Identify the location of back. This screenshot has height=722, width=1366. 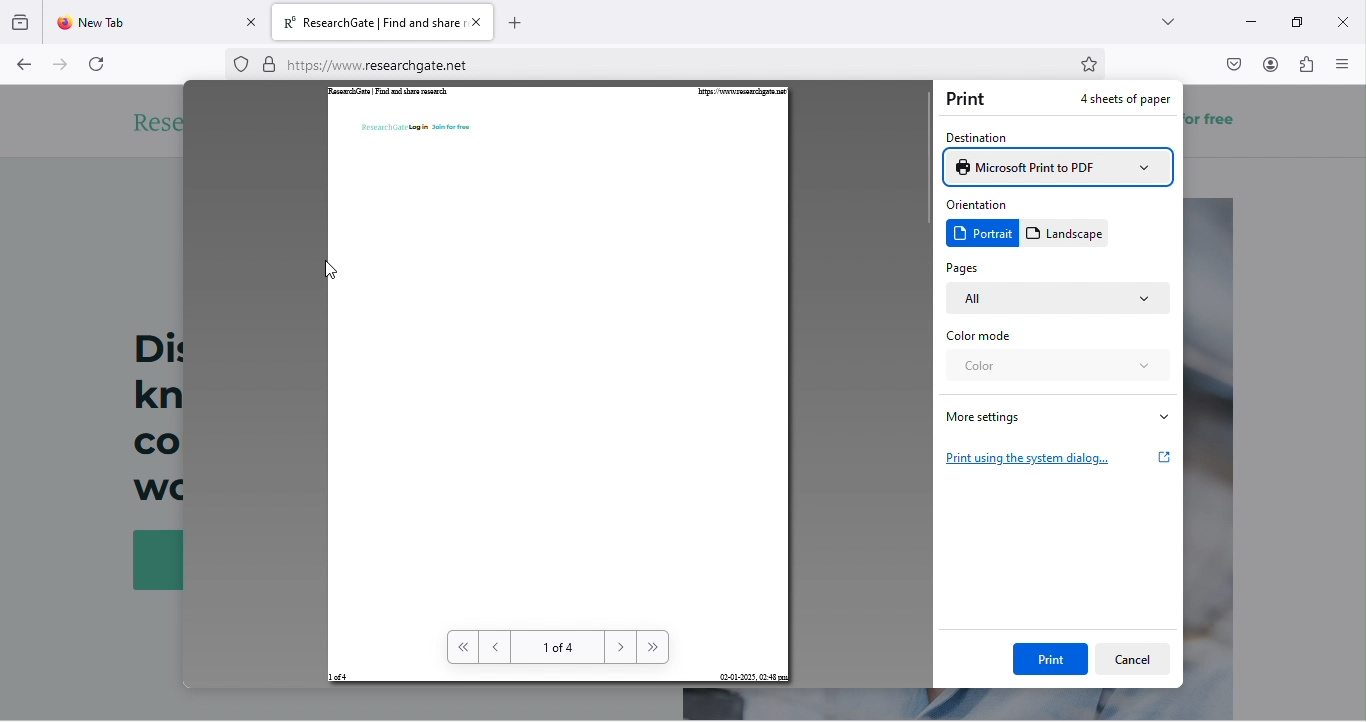
(24, 67).